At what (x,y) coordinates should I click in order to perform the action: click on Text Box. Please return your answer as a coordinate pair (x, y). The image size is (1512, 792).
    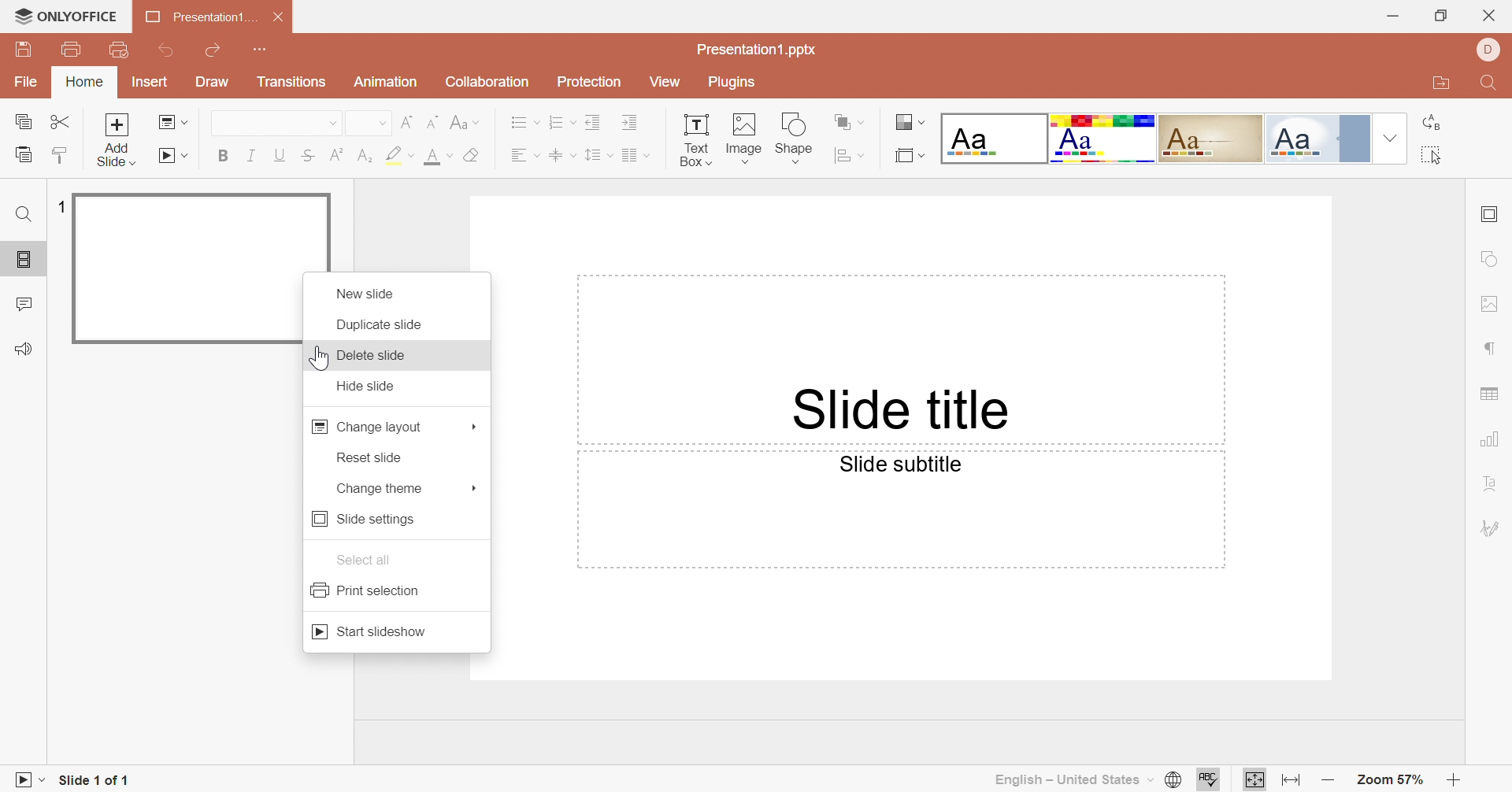
    Looking at the image, I should click on (694, 139).